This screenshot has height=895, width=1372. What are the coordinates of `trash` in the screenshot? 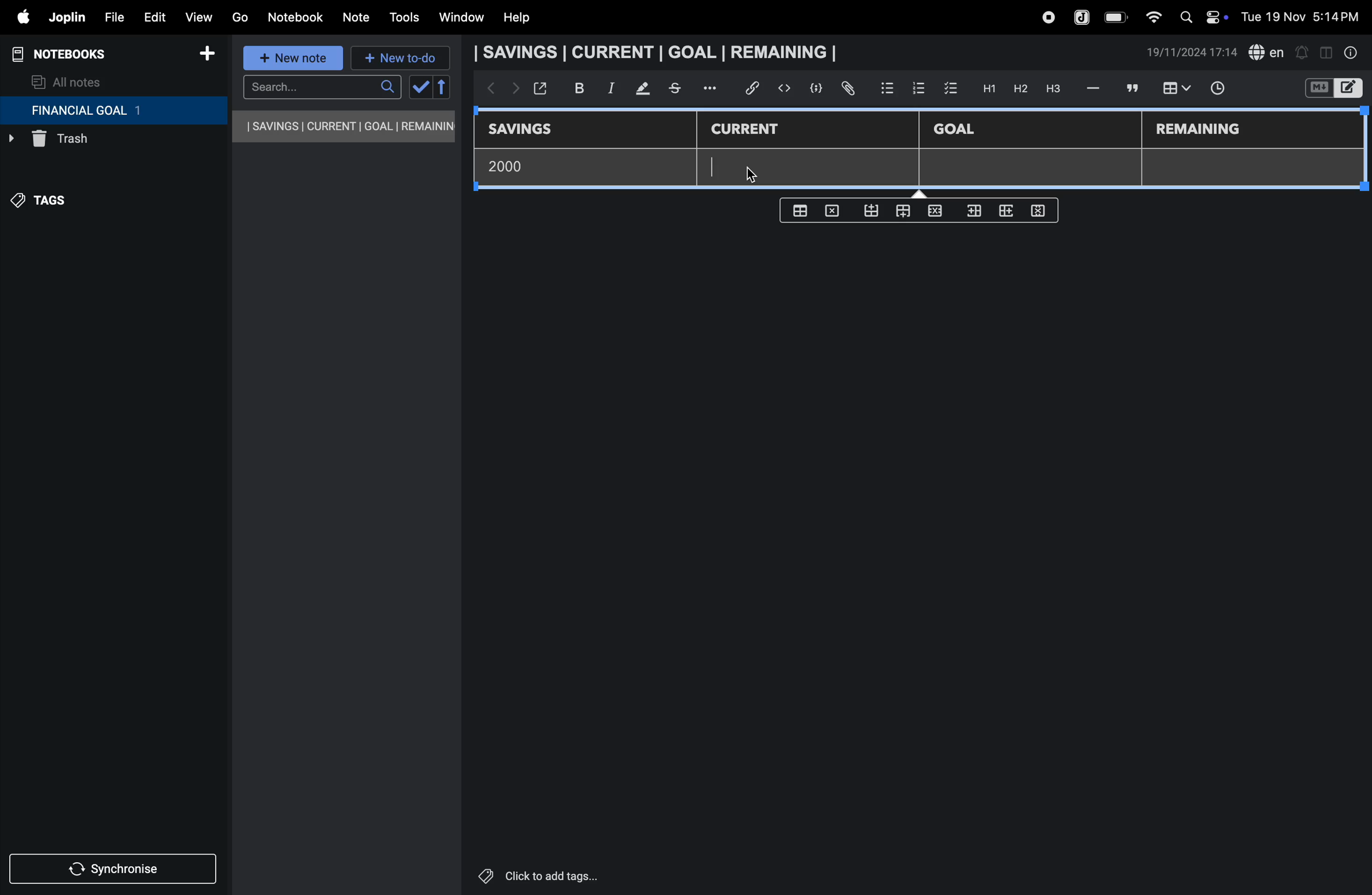 It's located at (89, 142).